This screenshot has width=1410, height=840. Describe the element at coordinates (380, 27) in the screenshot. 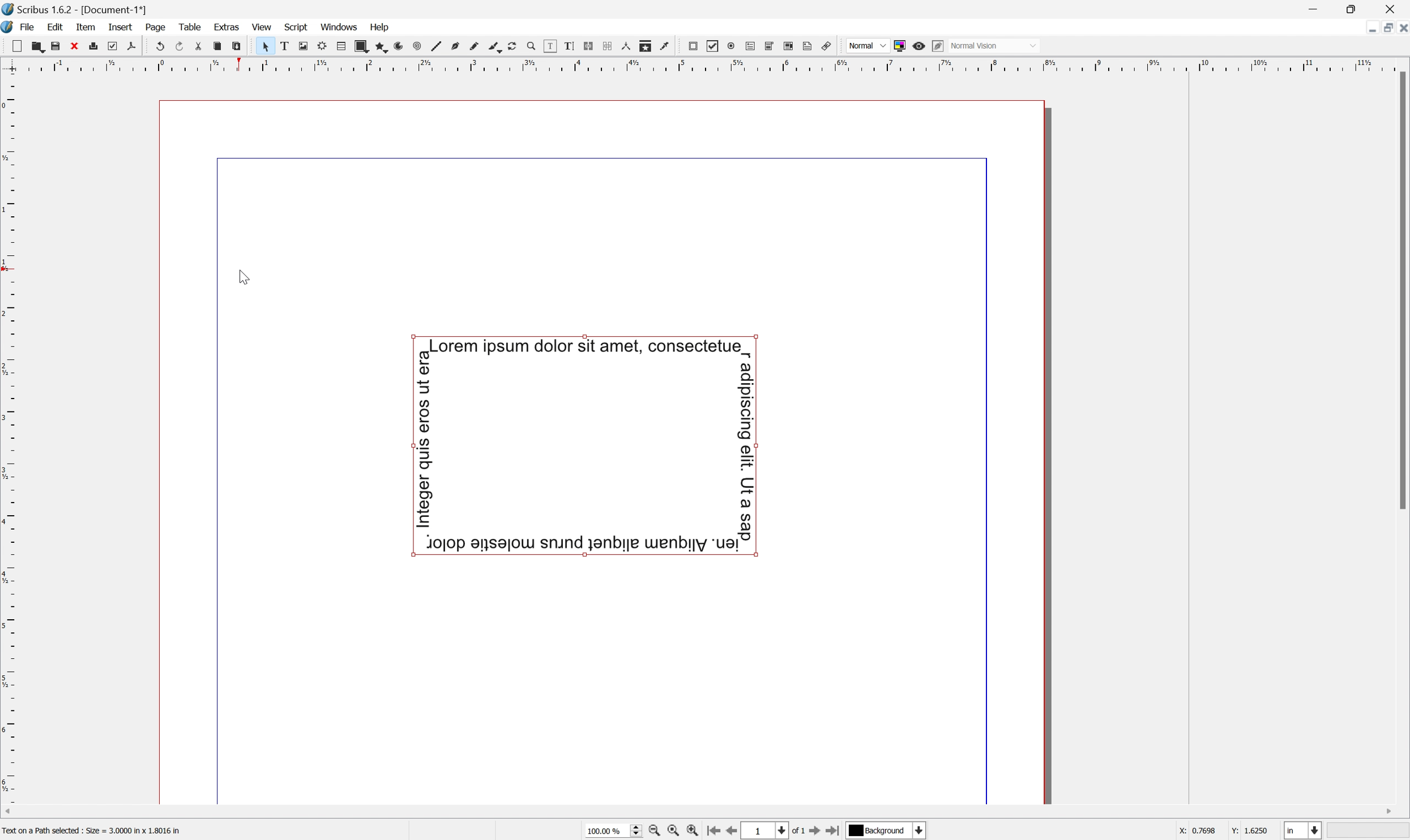

I see `Help` at that location.